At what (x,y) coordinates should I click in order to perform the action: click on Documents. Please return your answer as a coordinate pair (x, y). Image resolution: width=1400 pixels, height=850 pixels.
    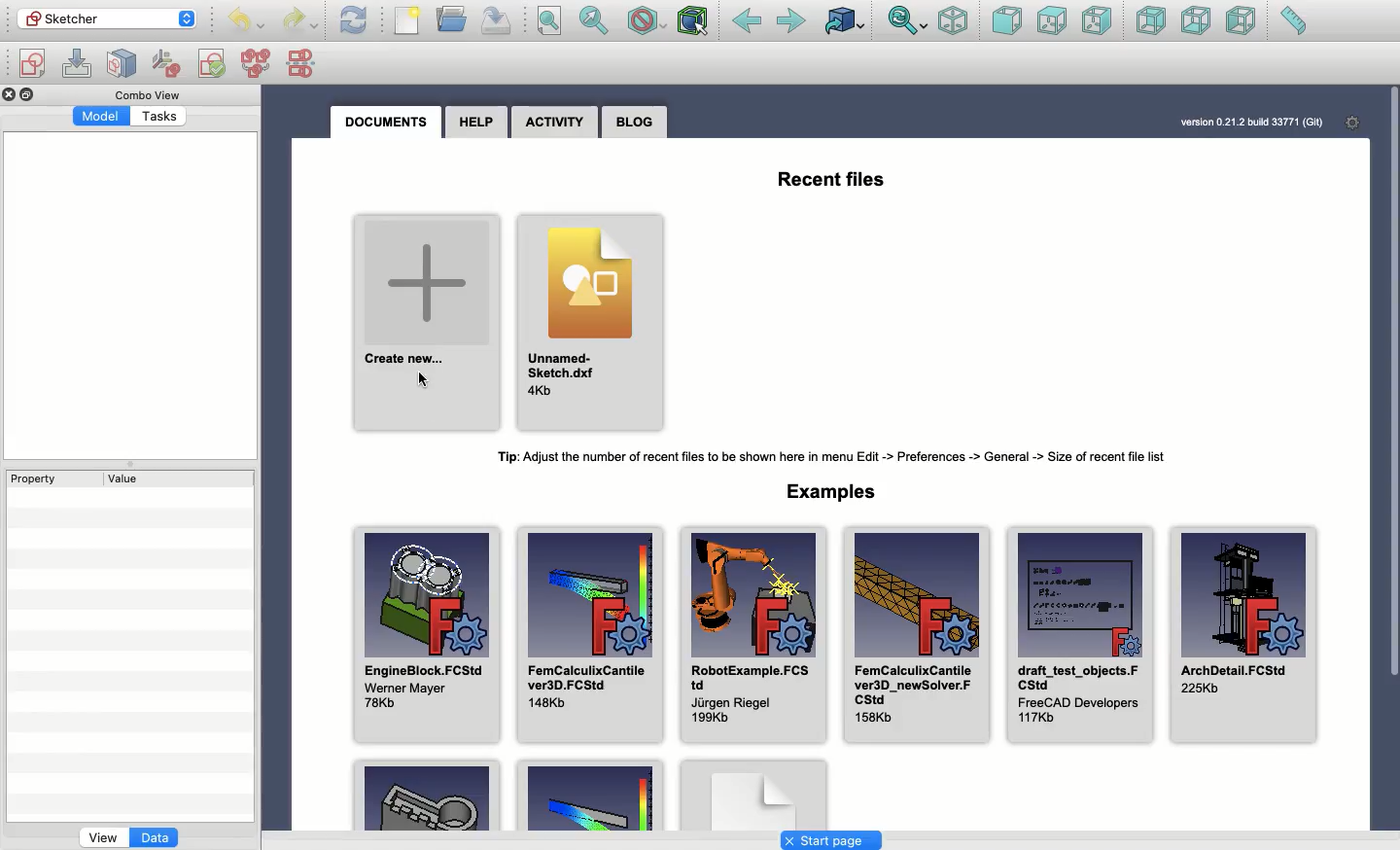
    Looking at the image, I should click on (386, 124).